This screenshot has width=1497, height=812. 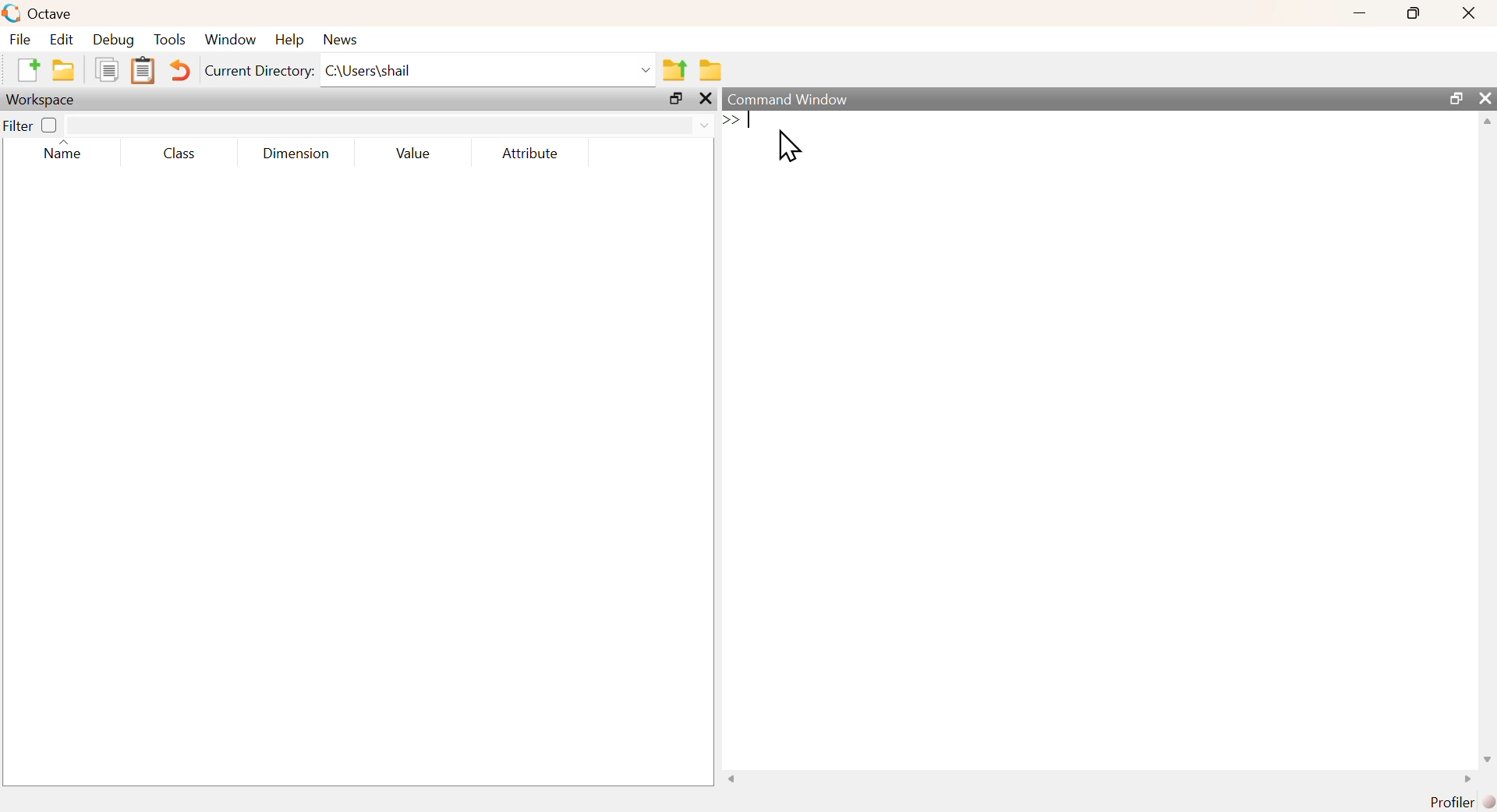 What do you see at coordinates (259, 70) in the screenshot?
I see `Current Directory:` at bounding box center [259, 70].